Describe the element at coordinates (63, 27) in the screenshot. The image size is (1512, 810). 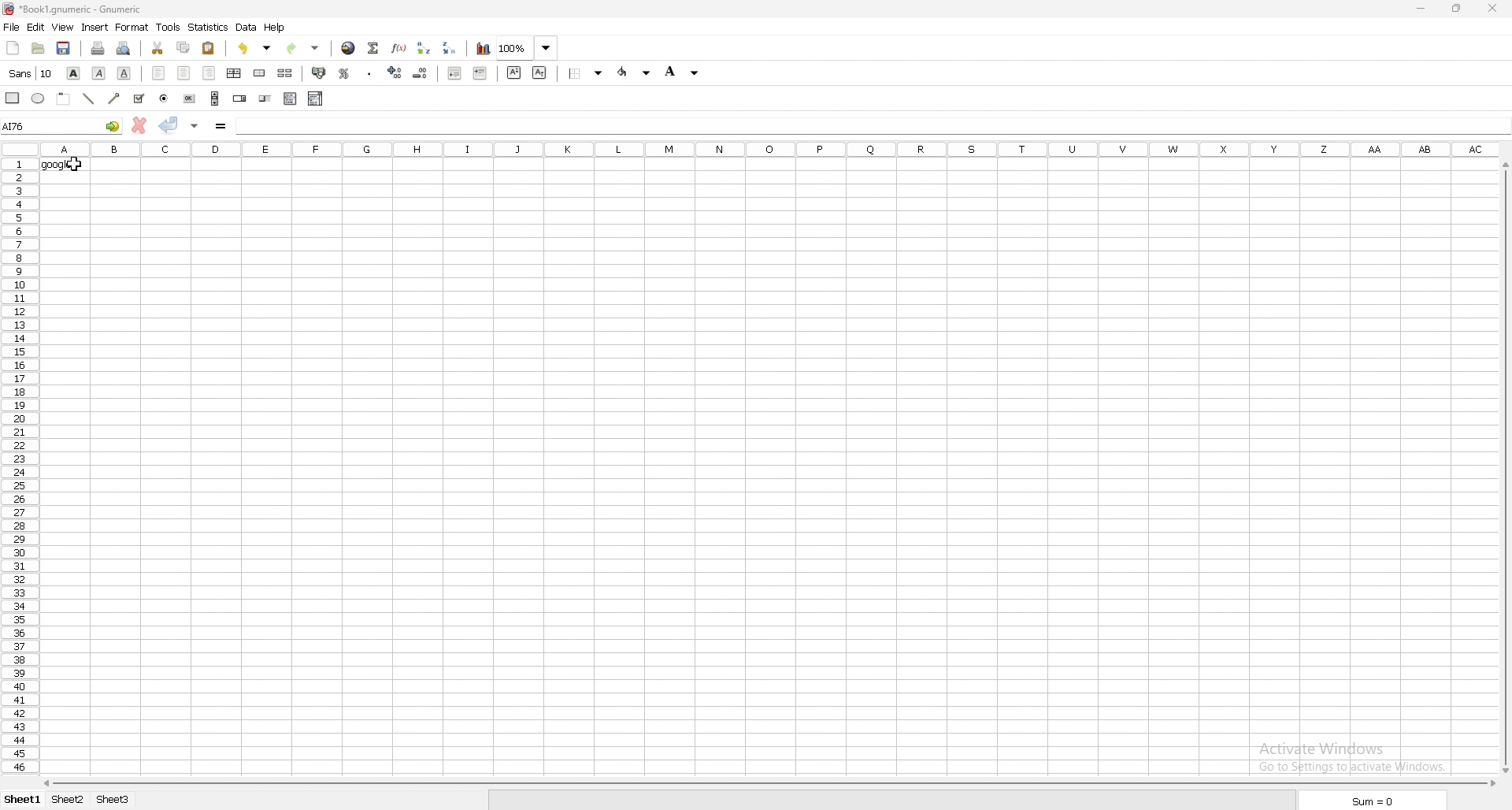
I see `view` at that location.